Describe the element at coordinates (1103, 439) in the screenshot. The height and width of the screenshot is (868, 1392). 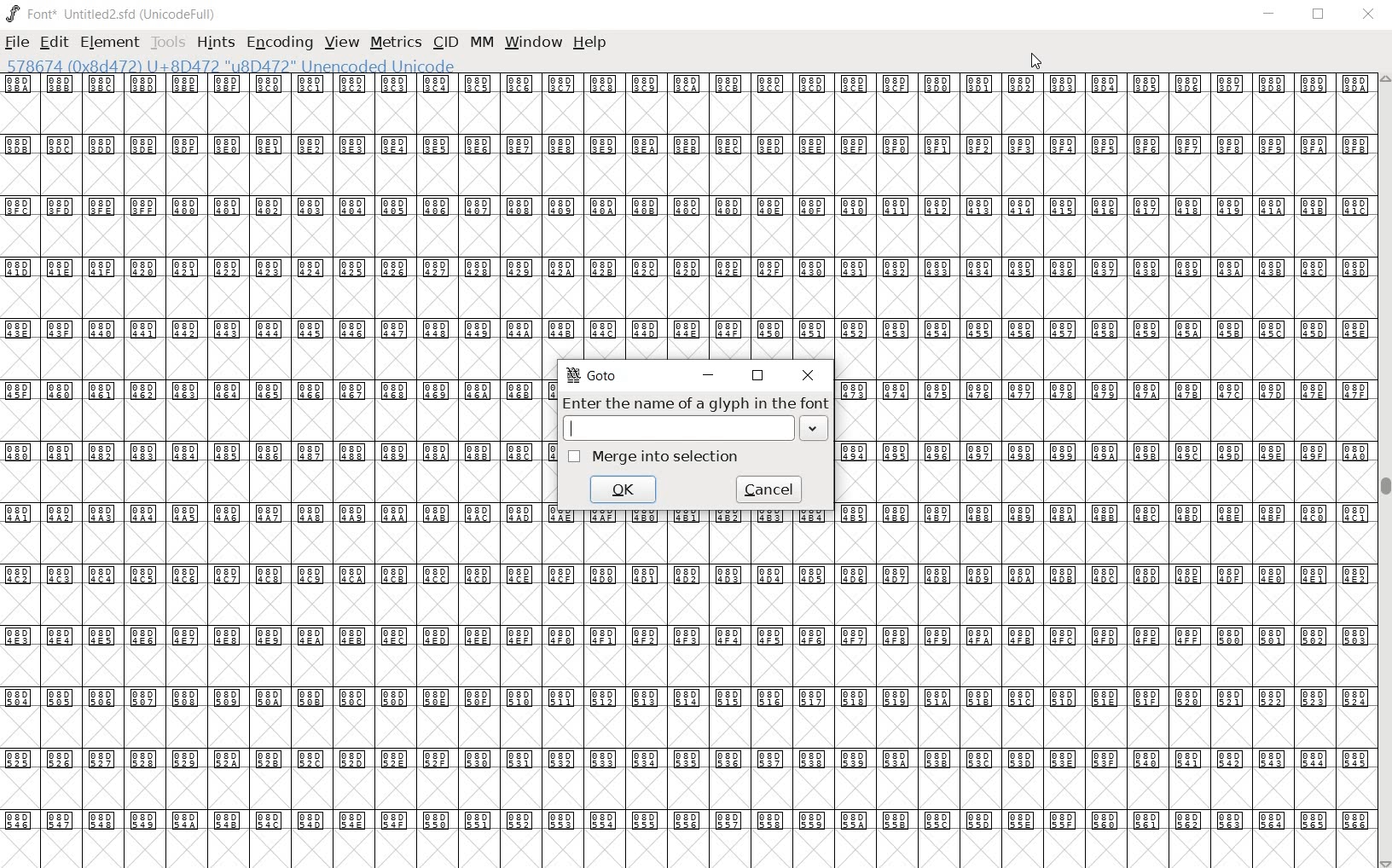
I see `glyph characters` at that location.